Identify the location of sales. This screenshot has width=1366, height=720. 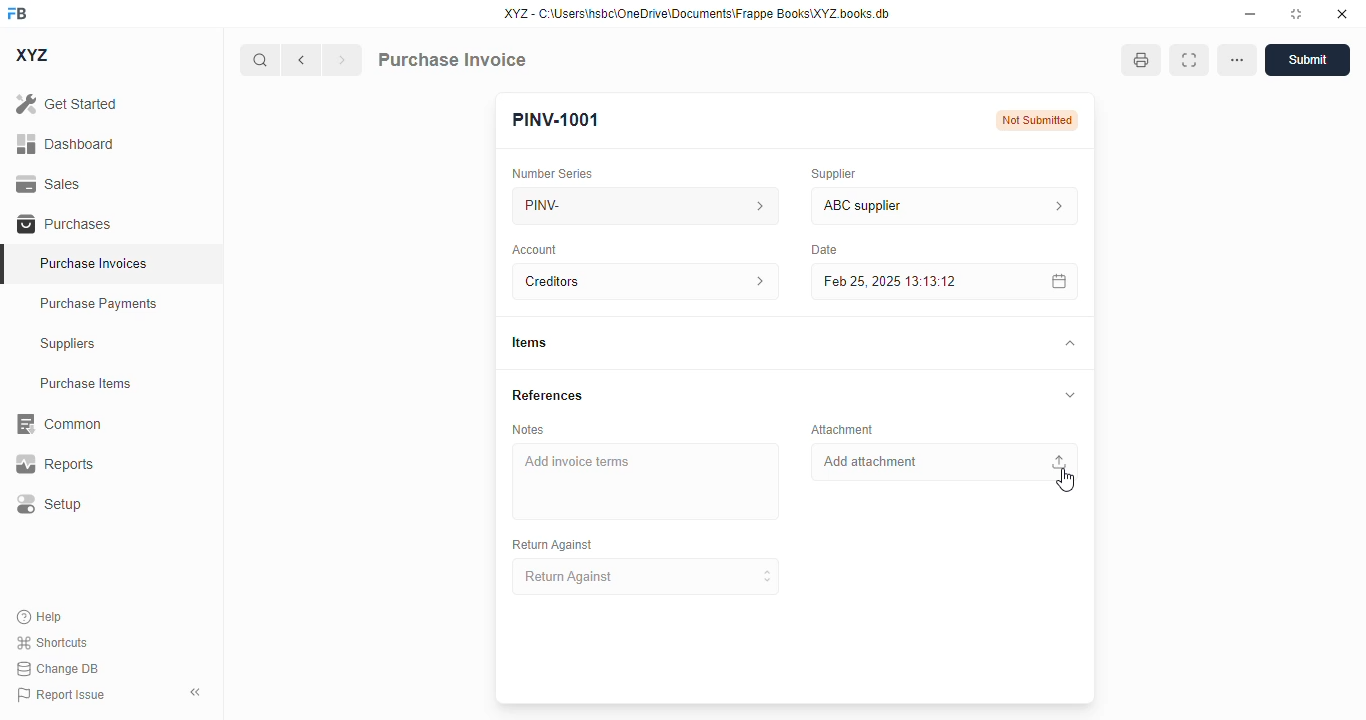
(52, 184).